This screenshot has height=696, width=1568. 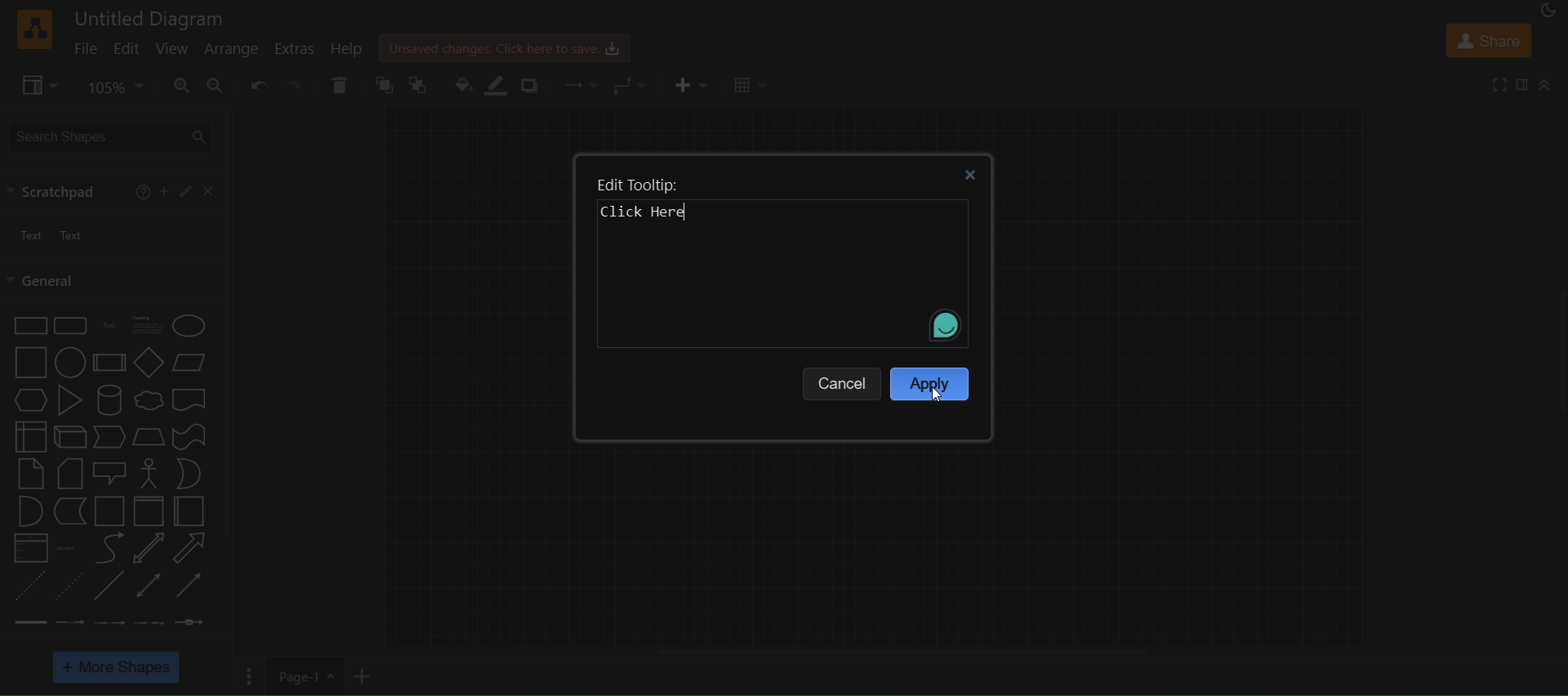 What do you see at coordinates (216, 85) in the screenshot?
I see `zoom out` at bounding box center [216, 85].